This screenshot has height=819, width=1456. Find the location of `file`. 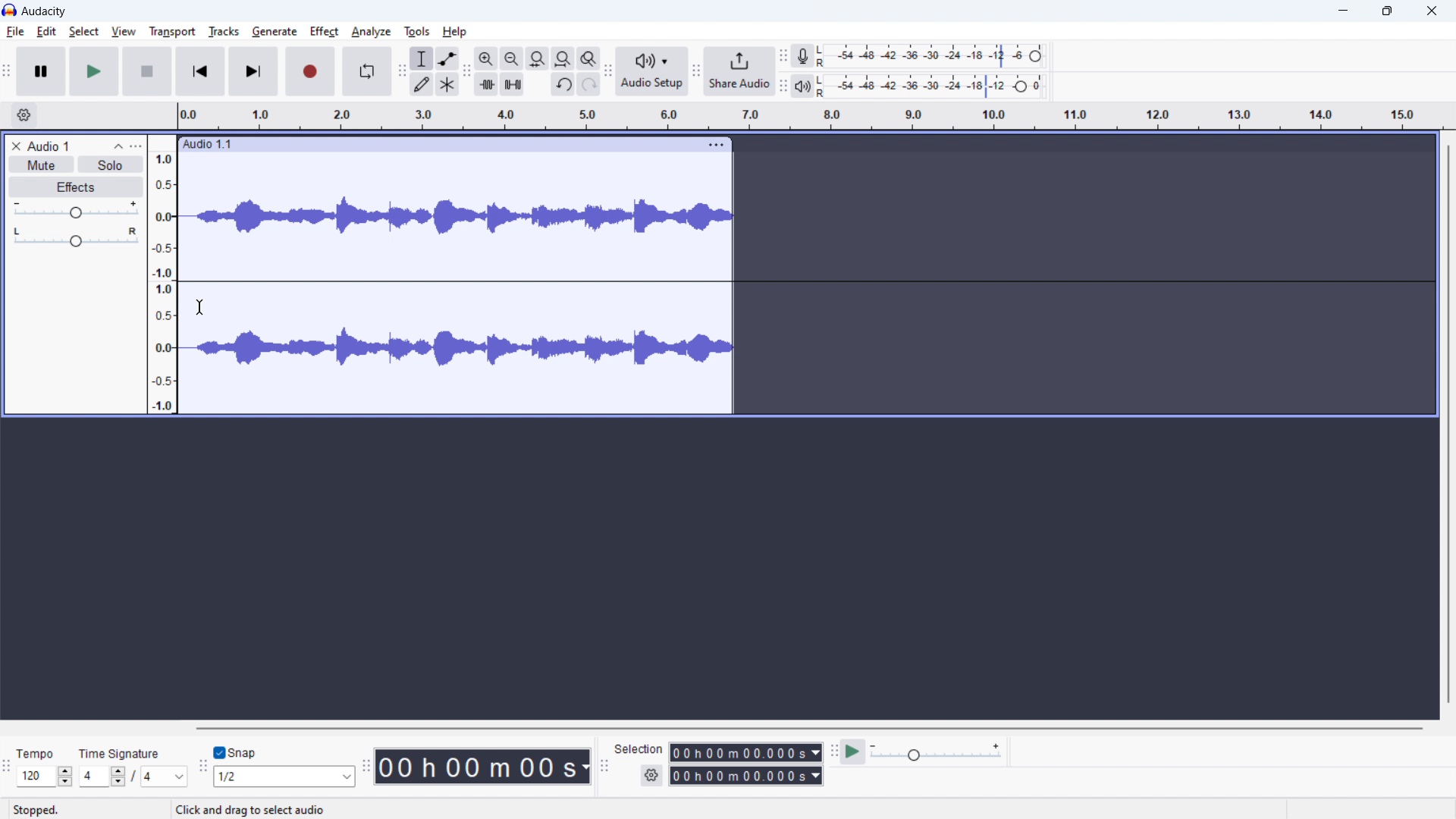

file is located at coordinates (15, 32).